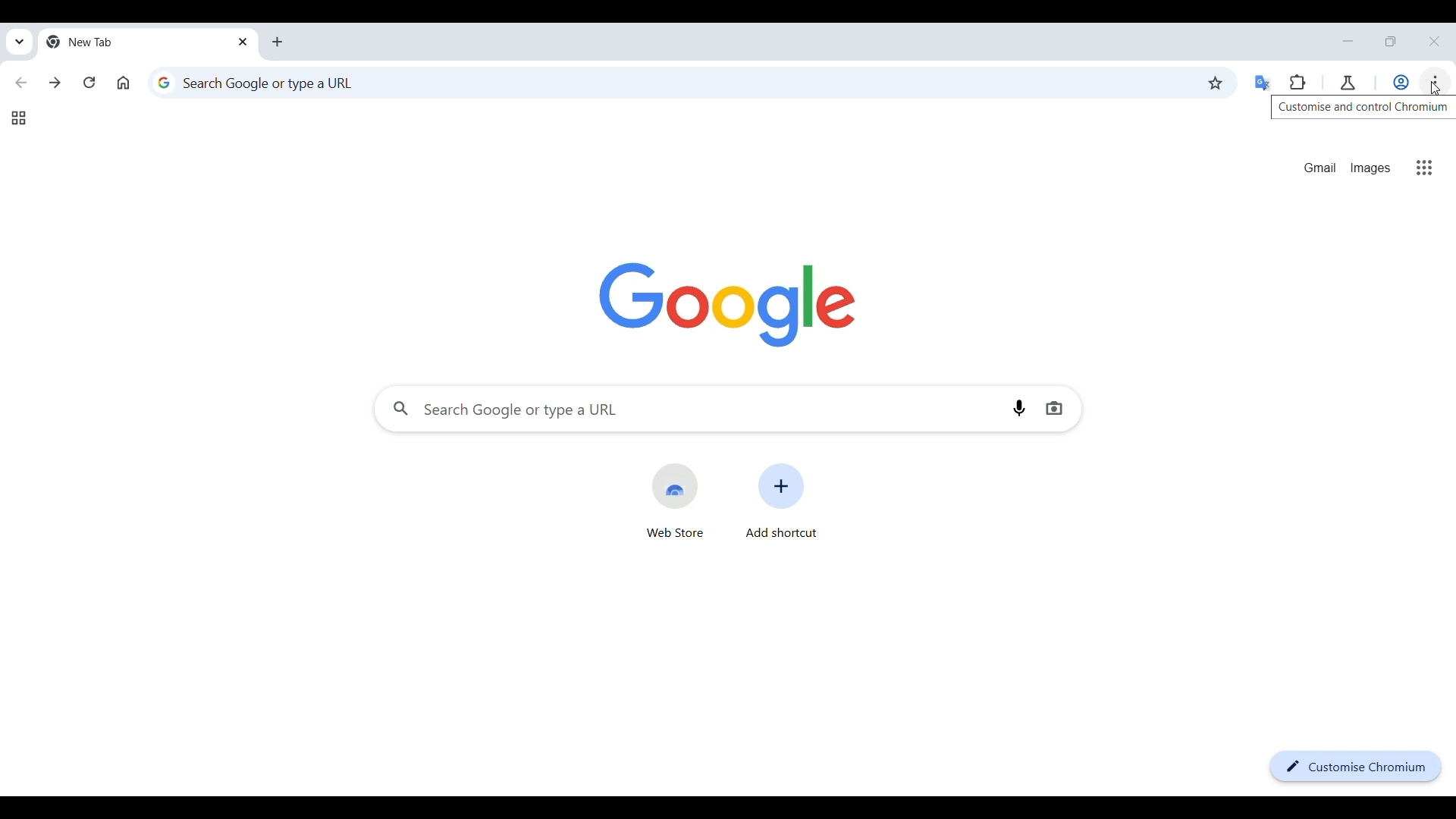 The height and width of the screenshot is (819, 1456). I want to click on images, so click(1370, 168).